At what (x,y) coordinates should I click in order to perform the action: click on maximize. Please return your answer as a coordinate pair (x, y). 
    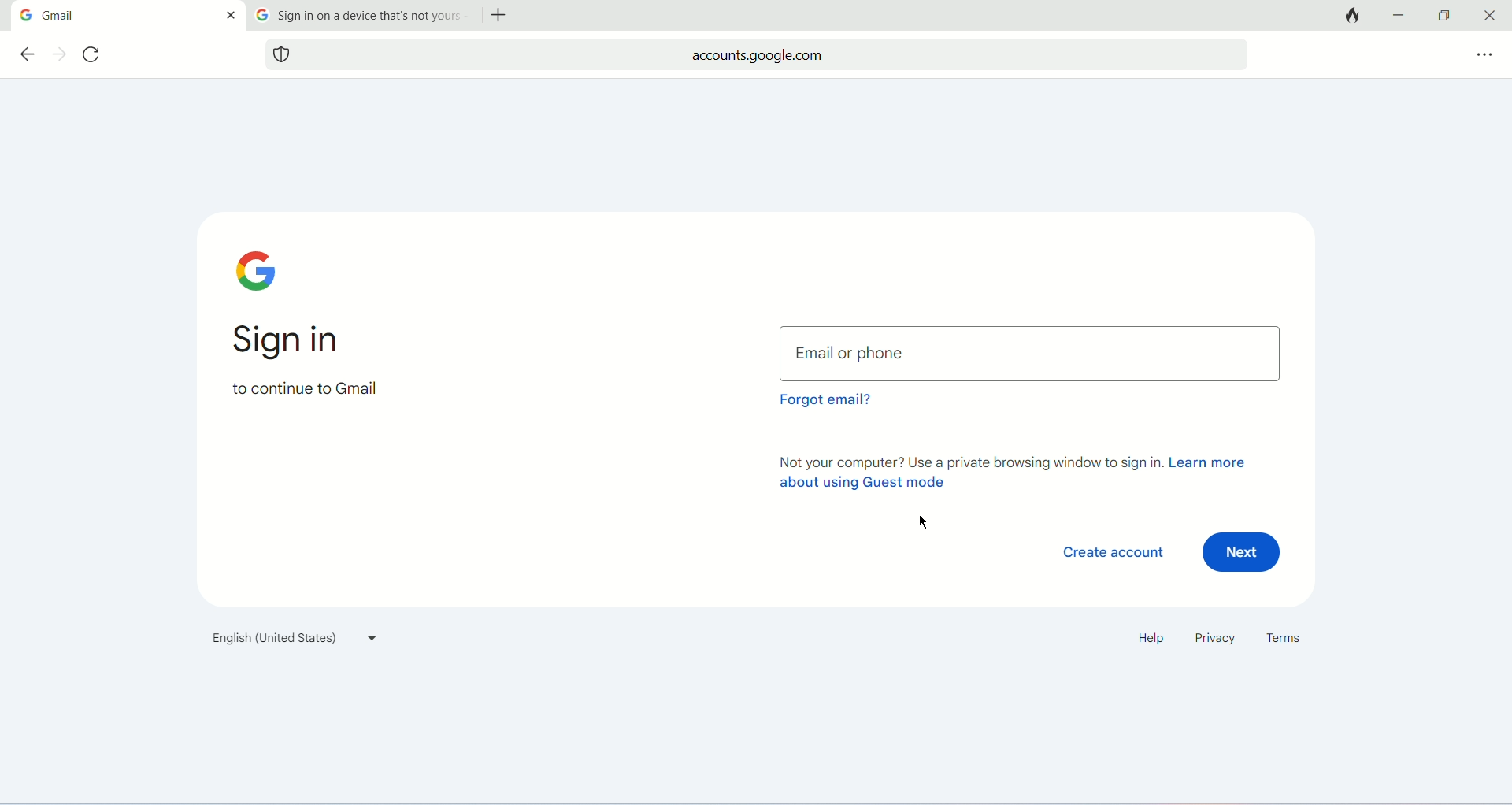
    Looking at the image, I should click on (1442, 16).